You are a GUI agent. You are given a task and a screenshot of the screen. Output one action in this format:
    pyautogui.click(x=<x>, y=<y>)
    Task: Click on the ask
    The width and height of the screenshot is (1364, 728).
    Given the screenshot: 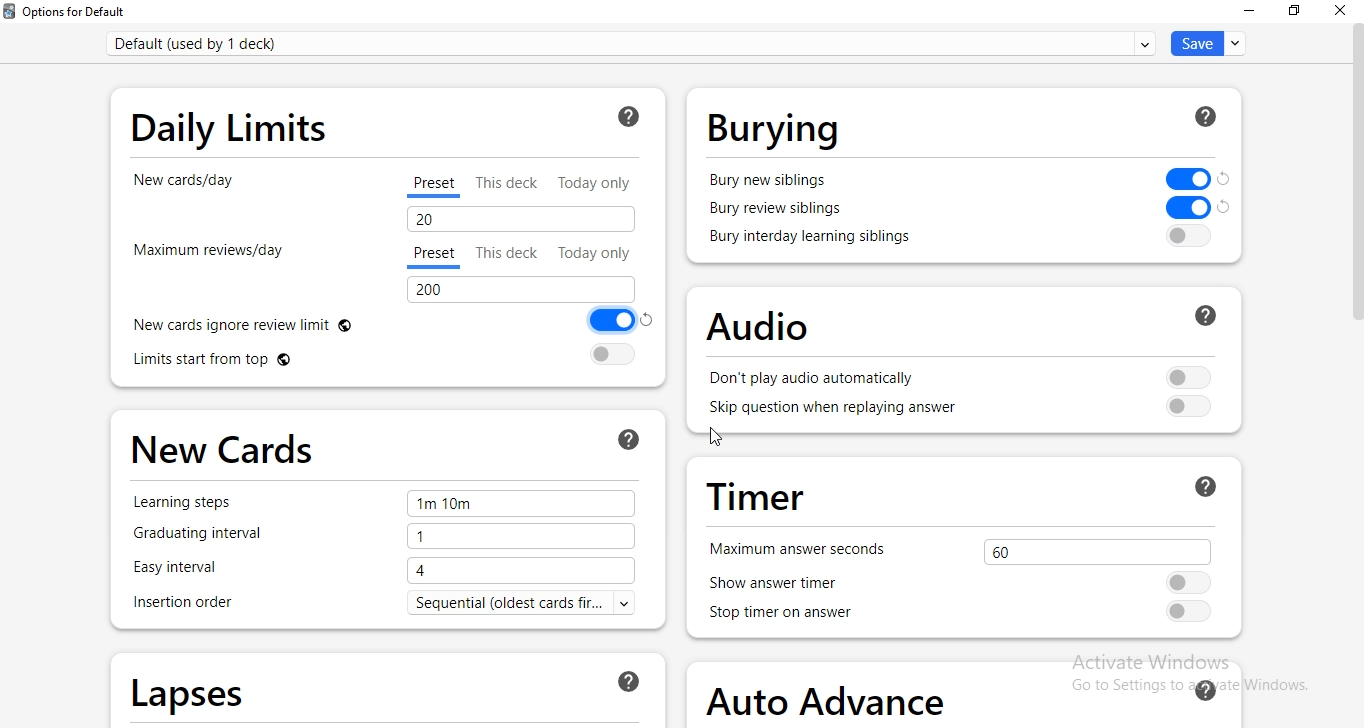 What is the action you would take?
    pyautogui.click(x=631, y=681)
    